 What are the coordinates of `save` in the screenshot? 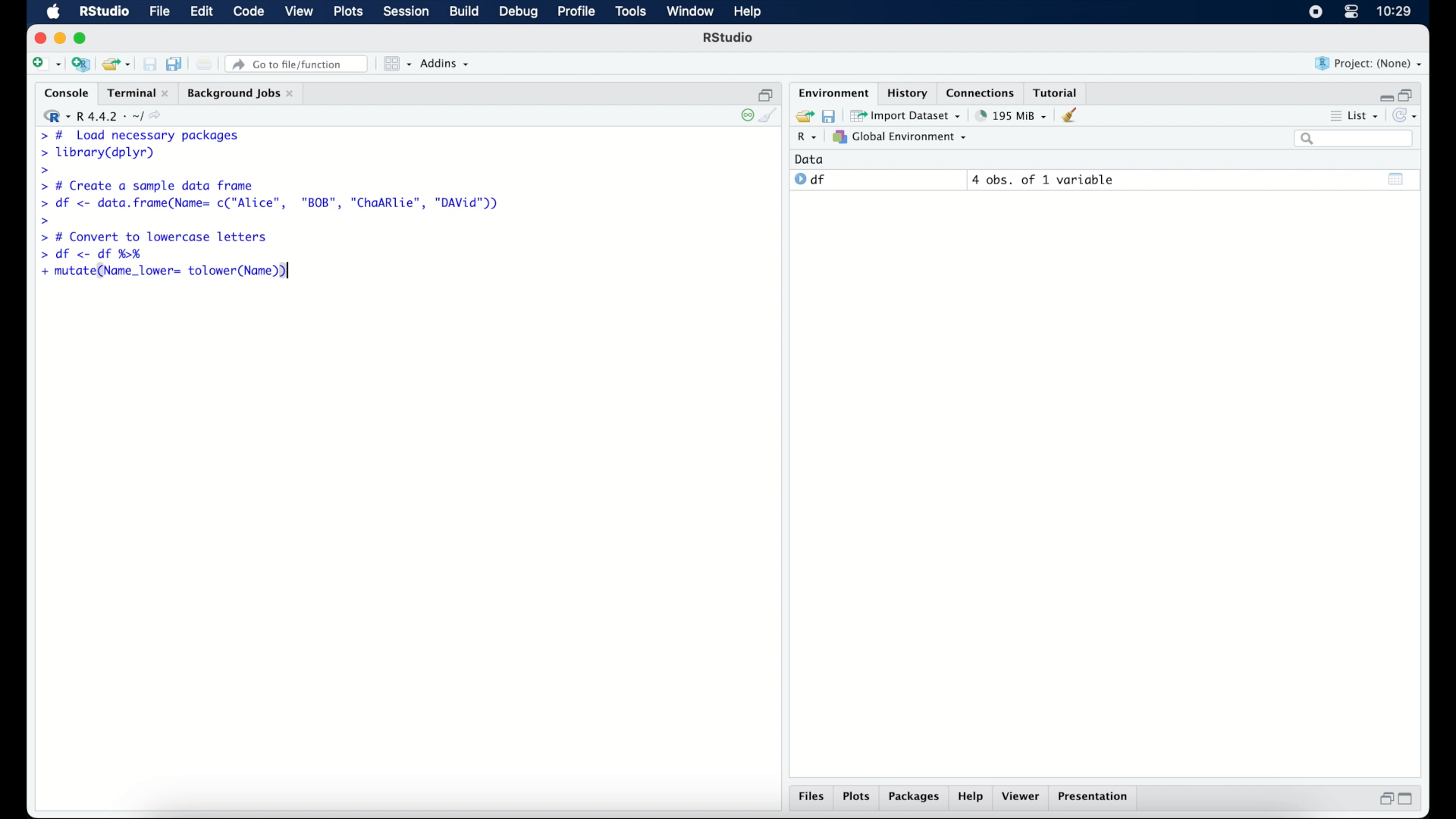 It's located at (149, 64).